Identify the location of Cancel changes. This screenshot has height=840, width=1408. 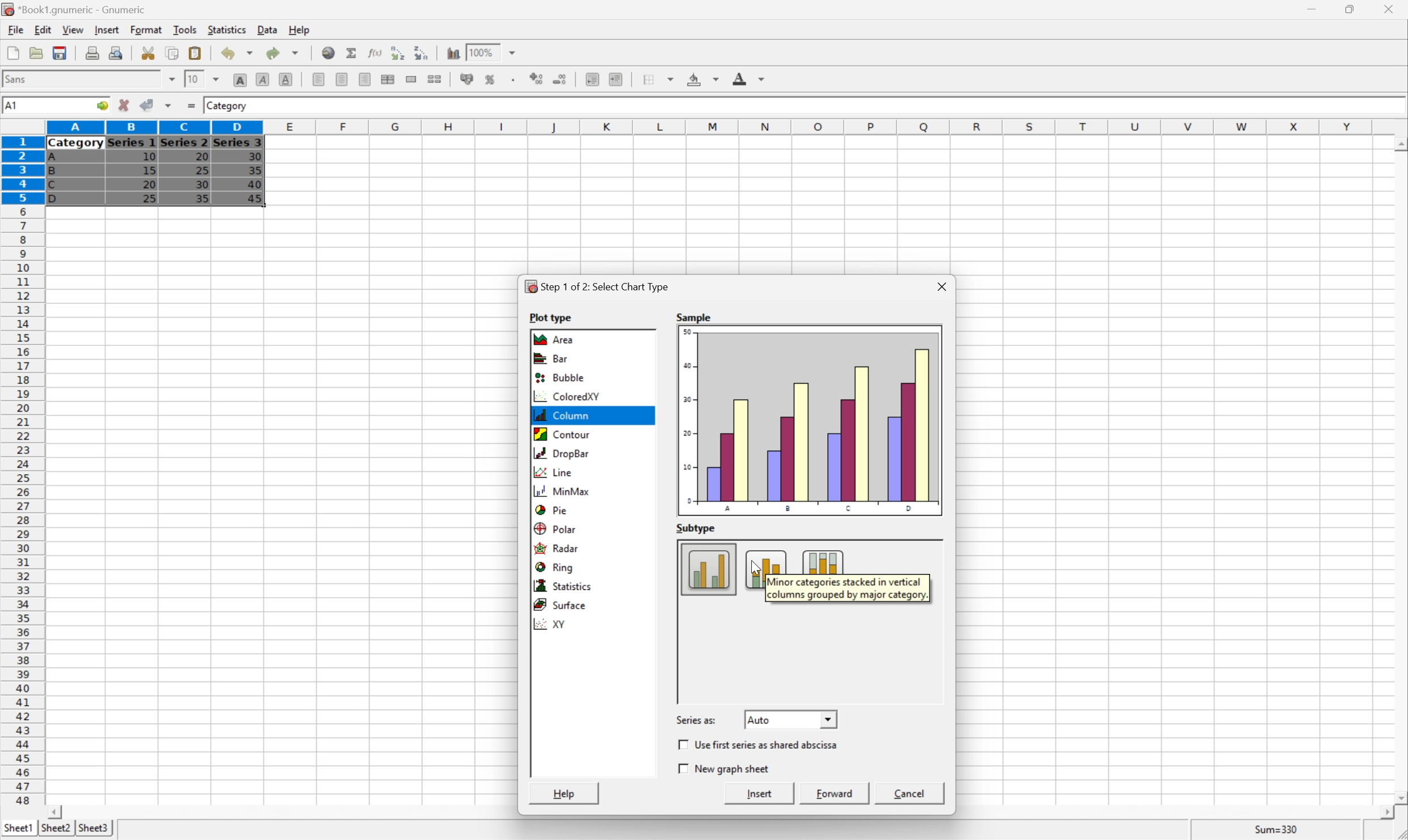
(124, 103).